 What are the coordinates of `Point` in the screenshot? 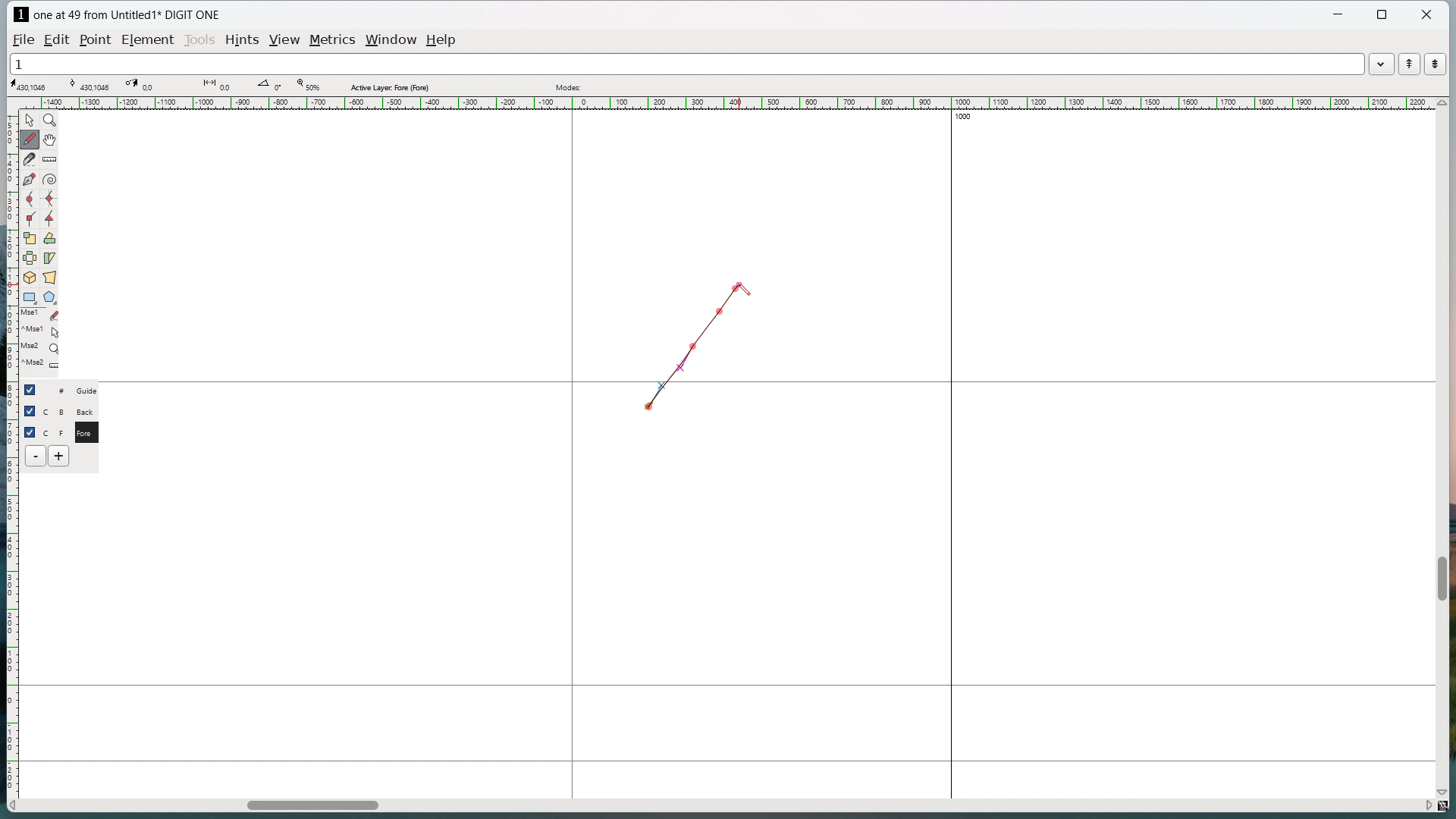 It's located at (98, 39).